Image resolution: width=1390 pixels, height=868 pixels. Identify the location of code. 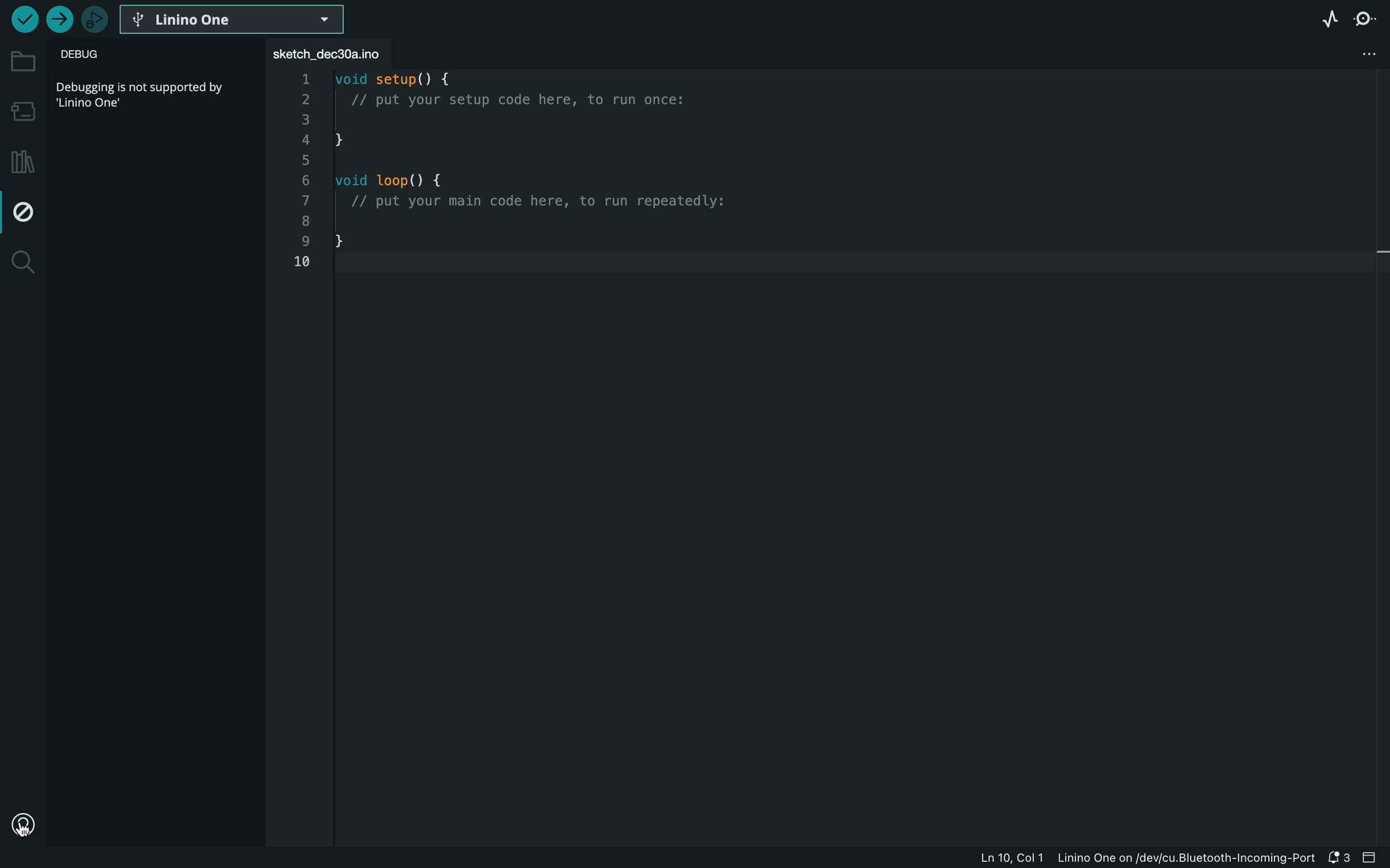
(535, 179).